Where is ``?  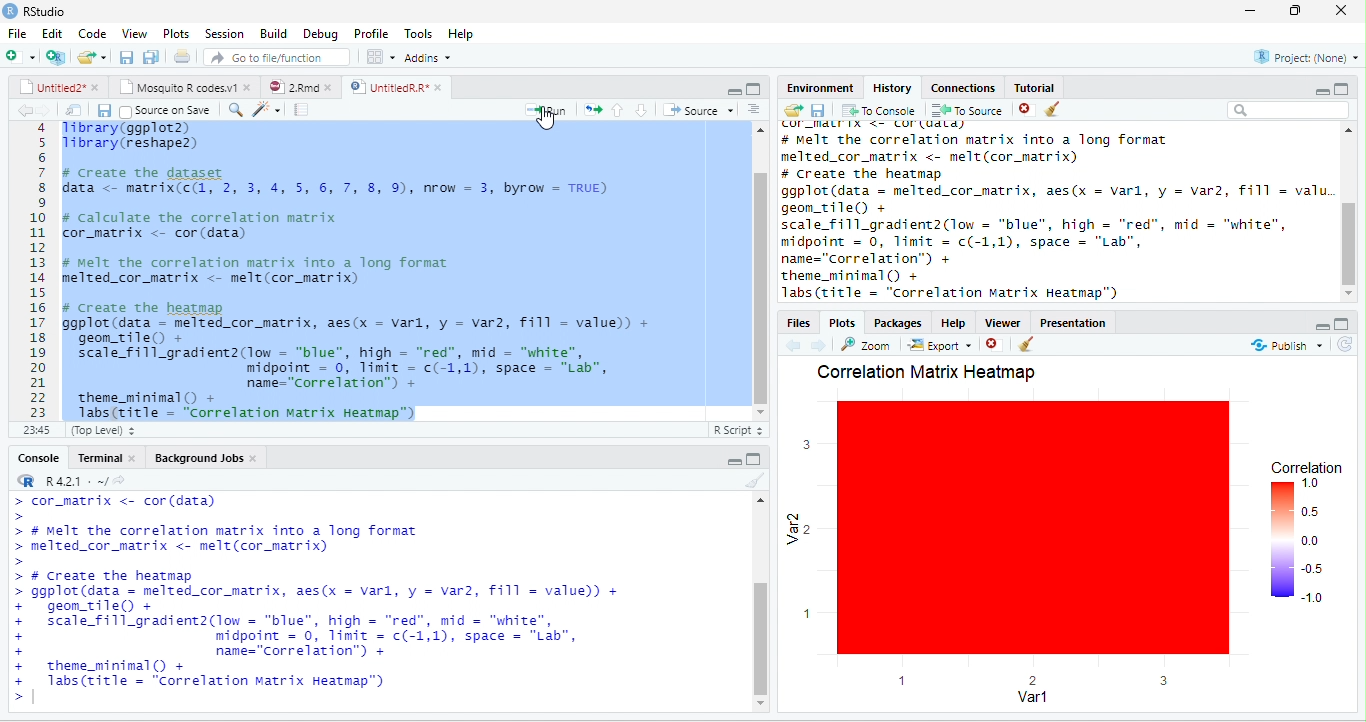  is located at coordinates (1305, 323).